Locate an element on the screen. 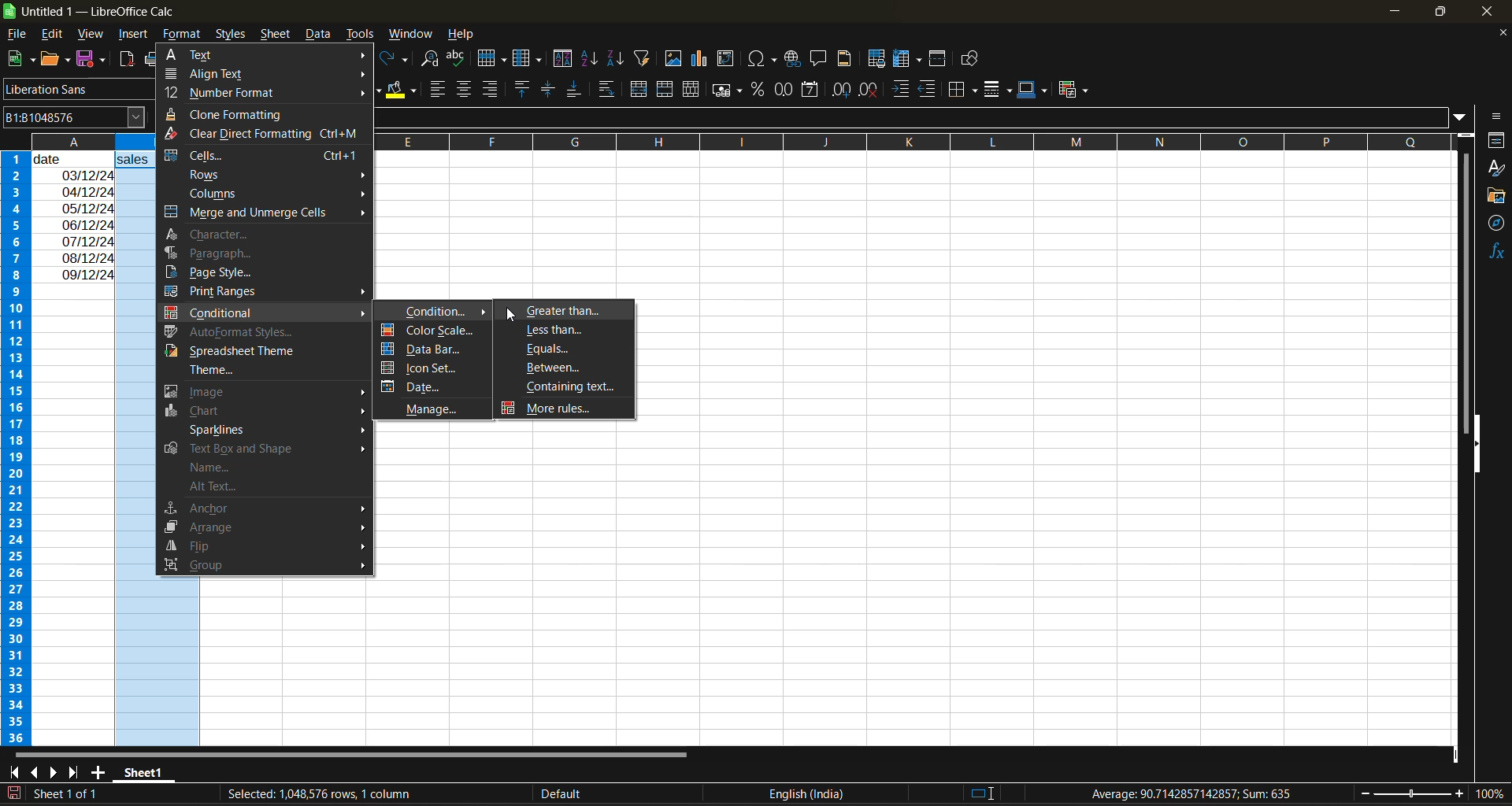  unmerge cells is located at coordinates (691, 91).